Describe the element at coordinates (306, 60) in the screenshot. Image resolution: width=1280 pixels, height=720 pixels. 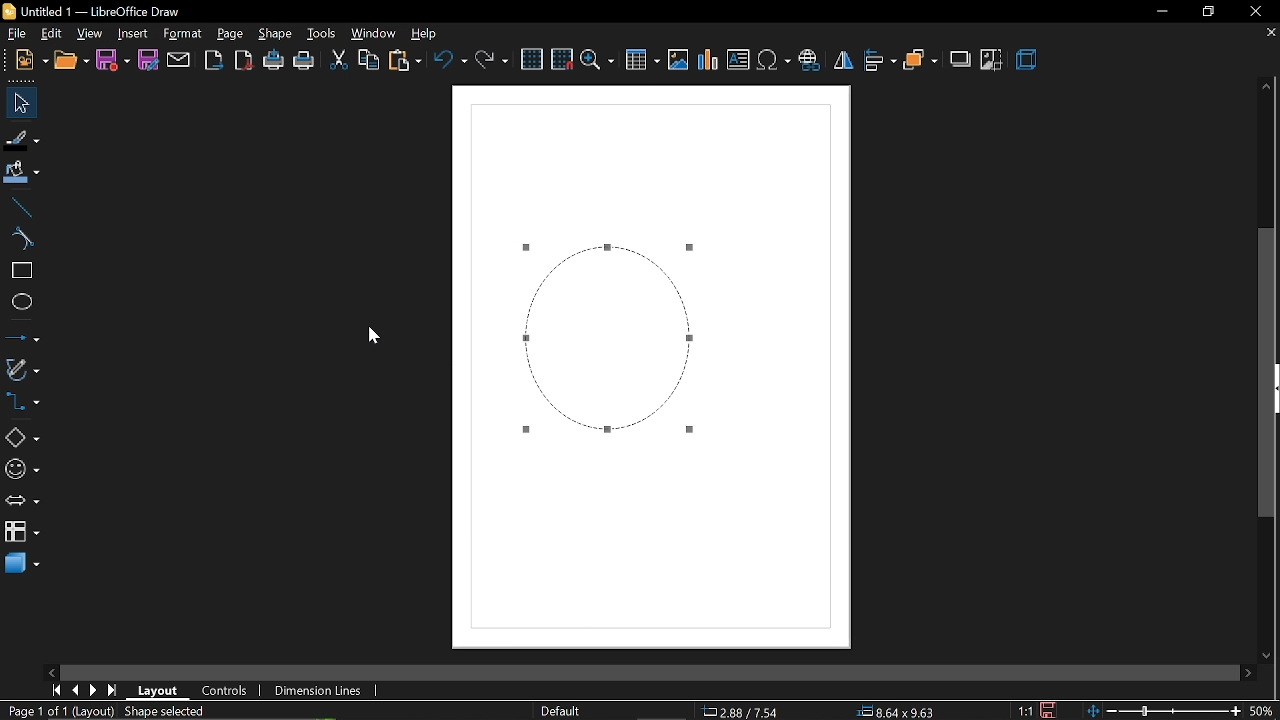
I see `print` at that location.